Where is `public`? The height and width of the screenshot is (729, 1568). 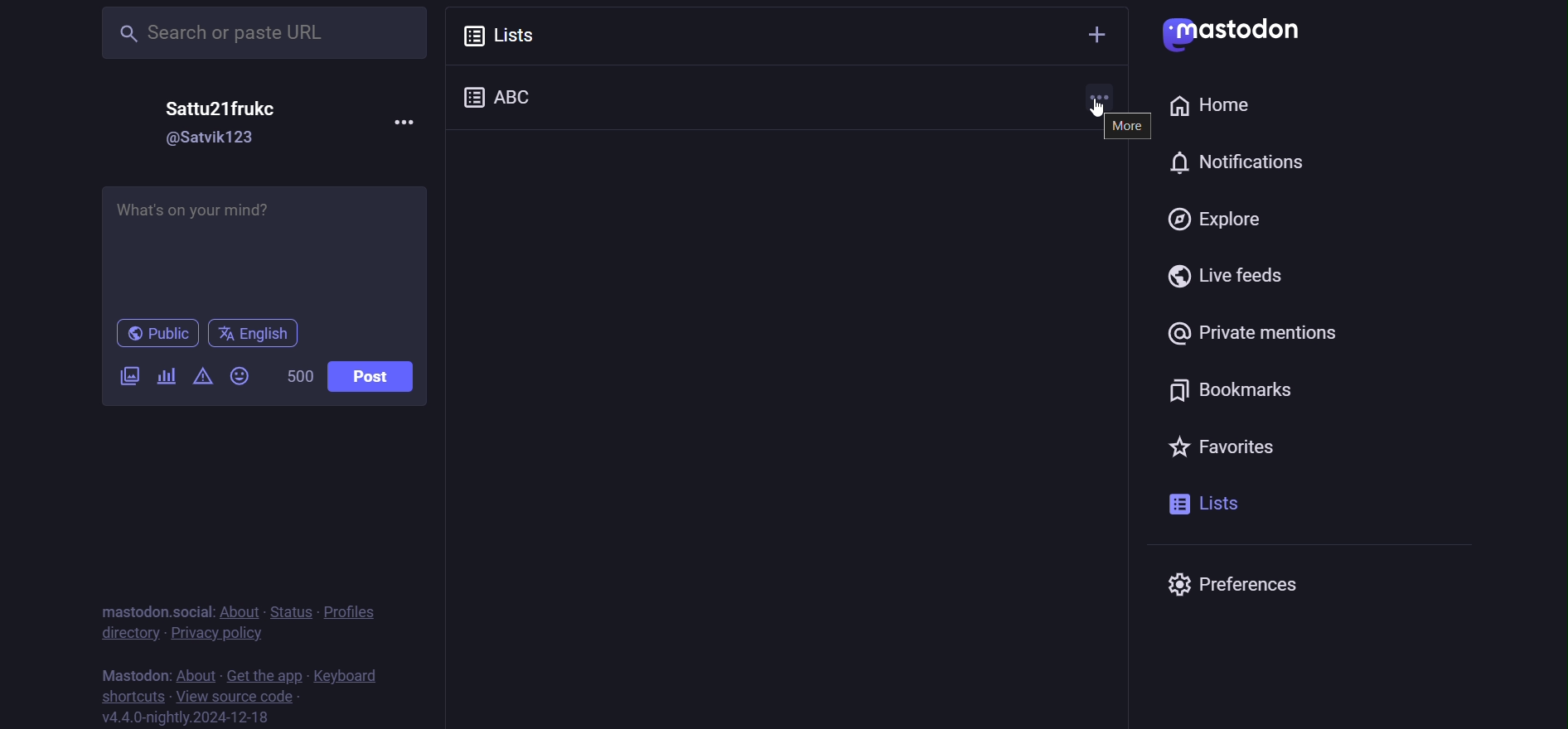 public is located at coordinates (150, 333).